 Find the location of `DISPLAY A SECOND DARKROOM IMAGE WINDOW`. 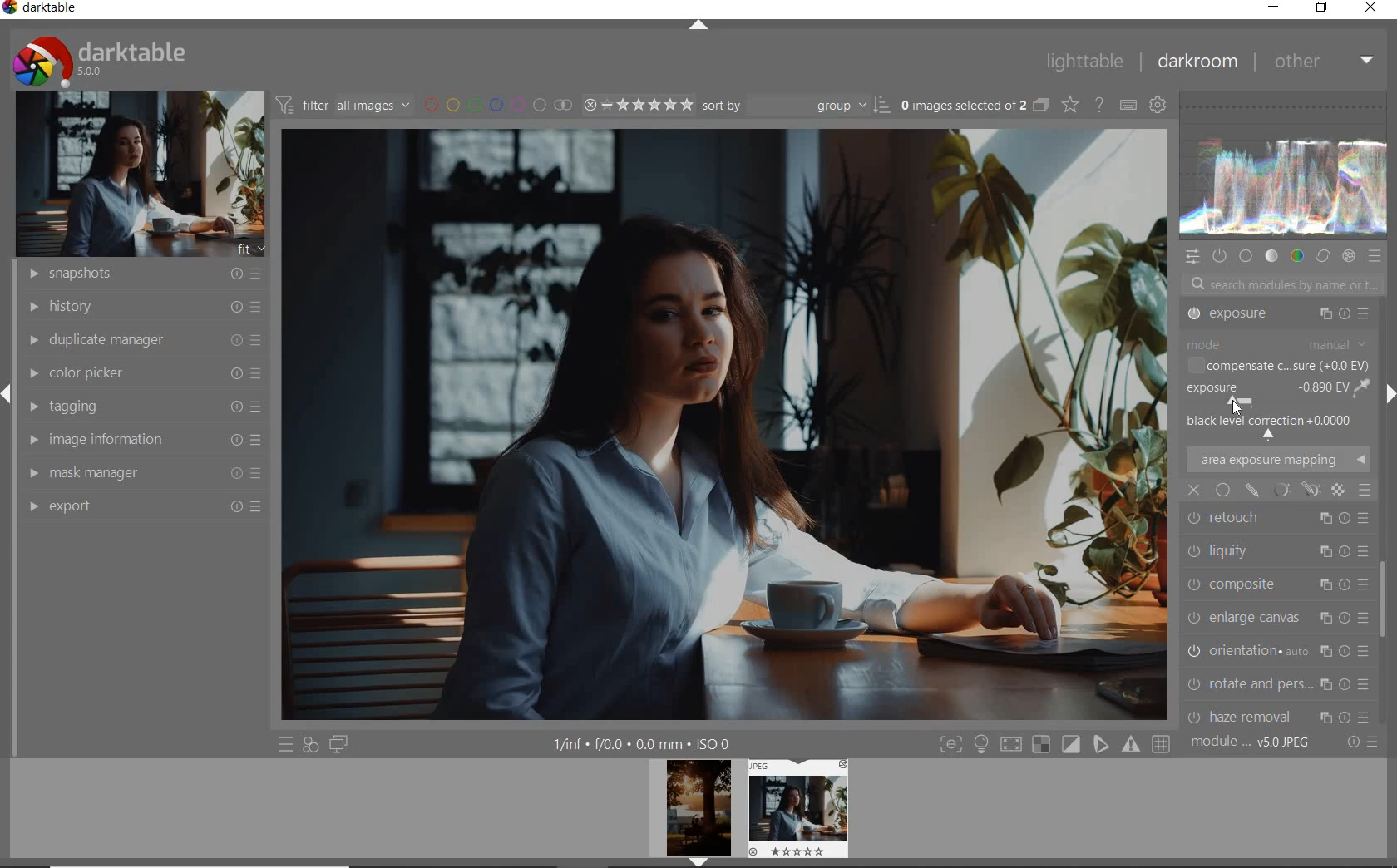

DISPLAY A SECOND DARKROOM IMAGE WINDOW is located at coordinates (339, 745).